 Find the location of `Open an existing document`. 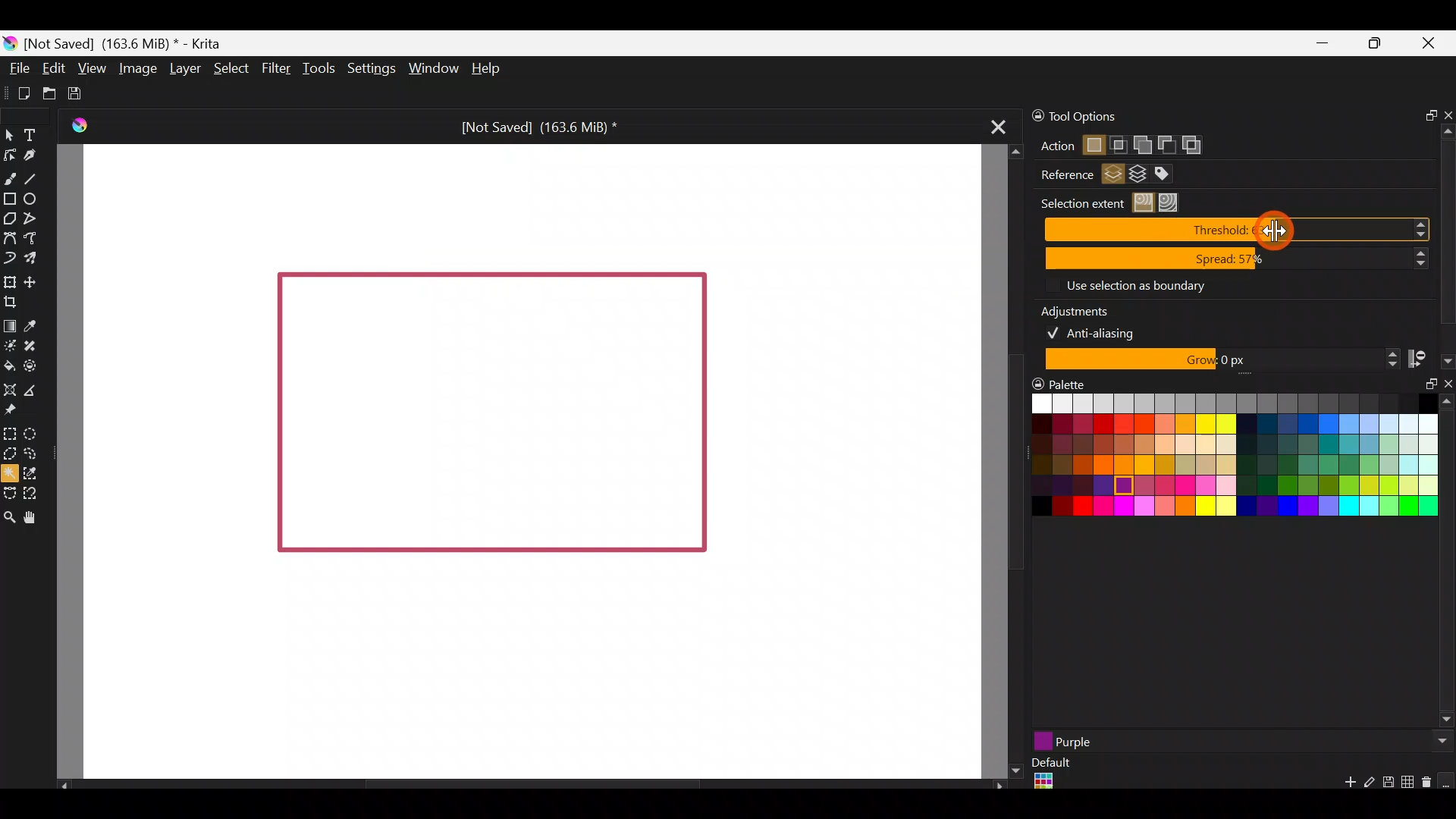

Open an existing document is located at coordinates (49, 91).